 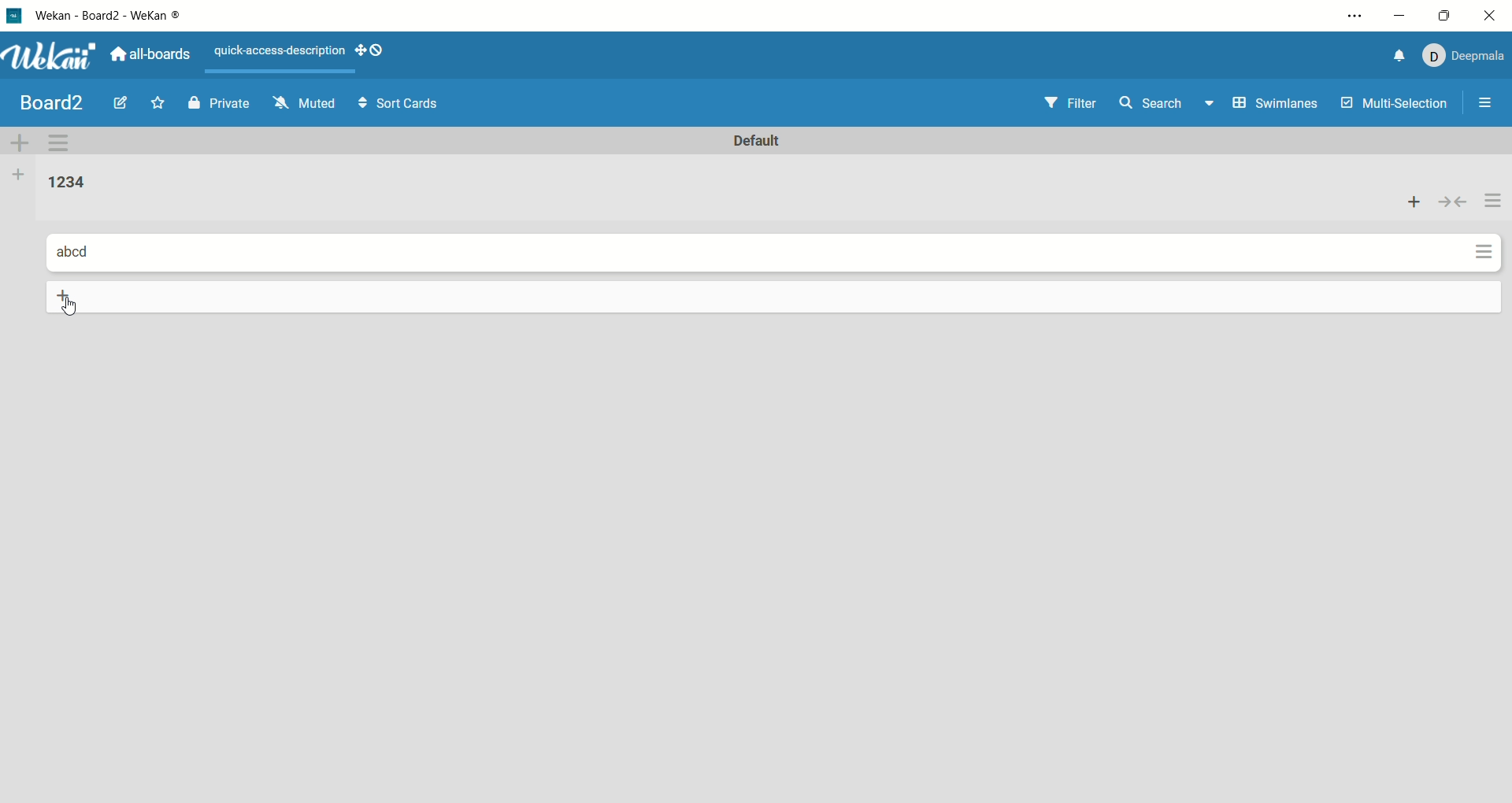 I want to click on favorite, so click(x=162, y=102).